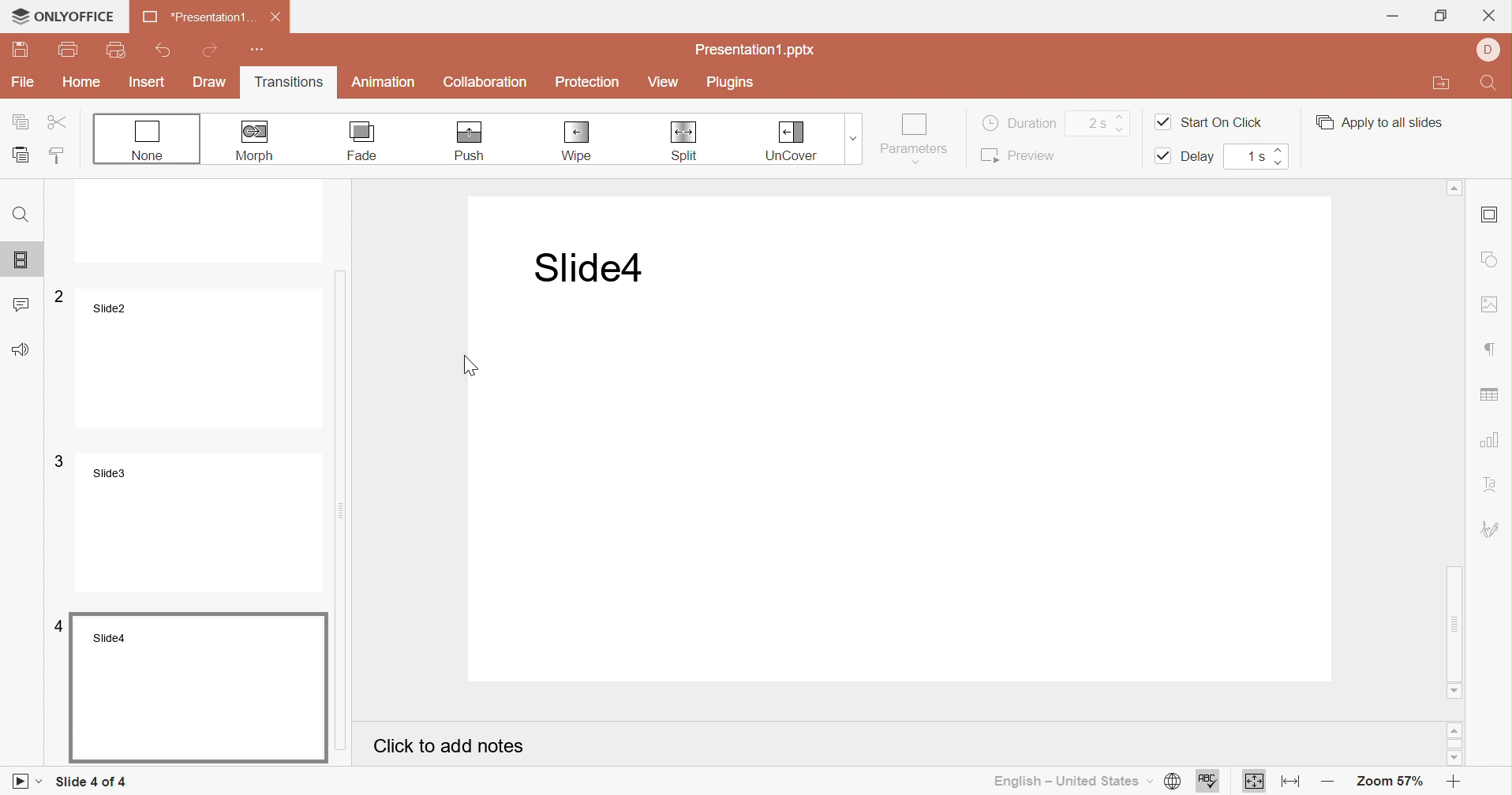 The image size is (1512, 795). What do you see at coordinates (22, 153) in the screenshot?
I see `Paste` at bounding box center [22, 153].